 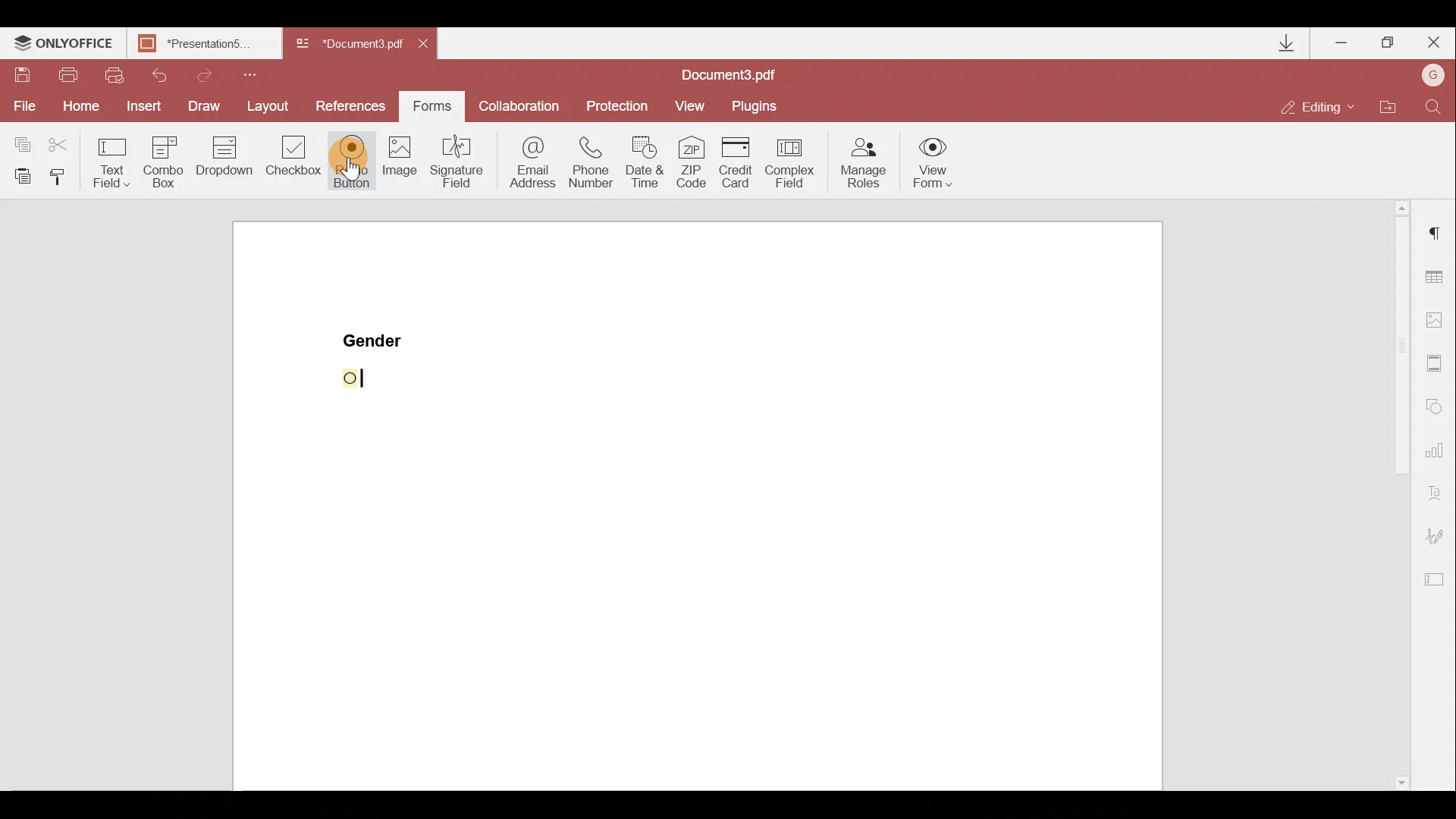 I want to click on Combo box, so click(x=160, y=160).